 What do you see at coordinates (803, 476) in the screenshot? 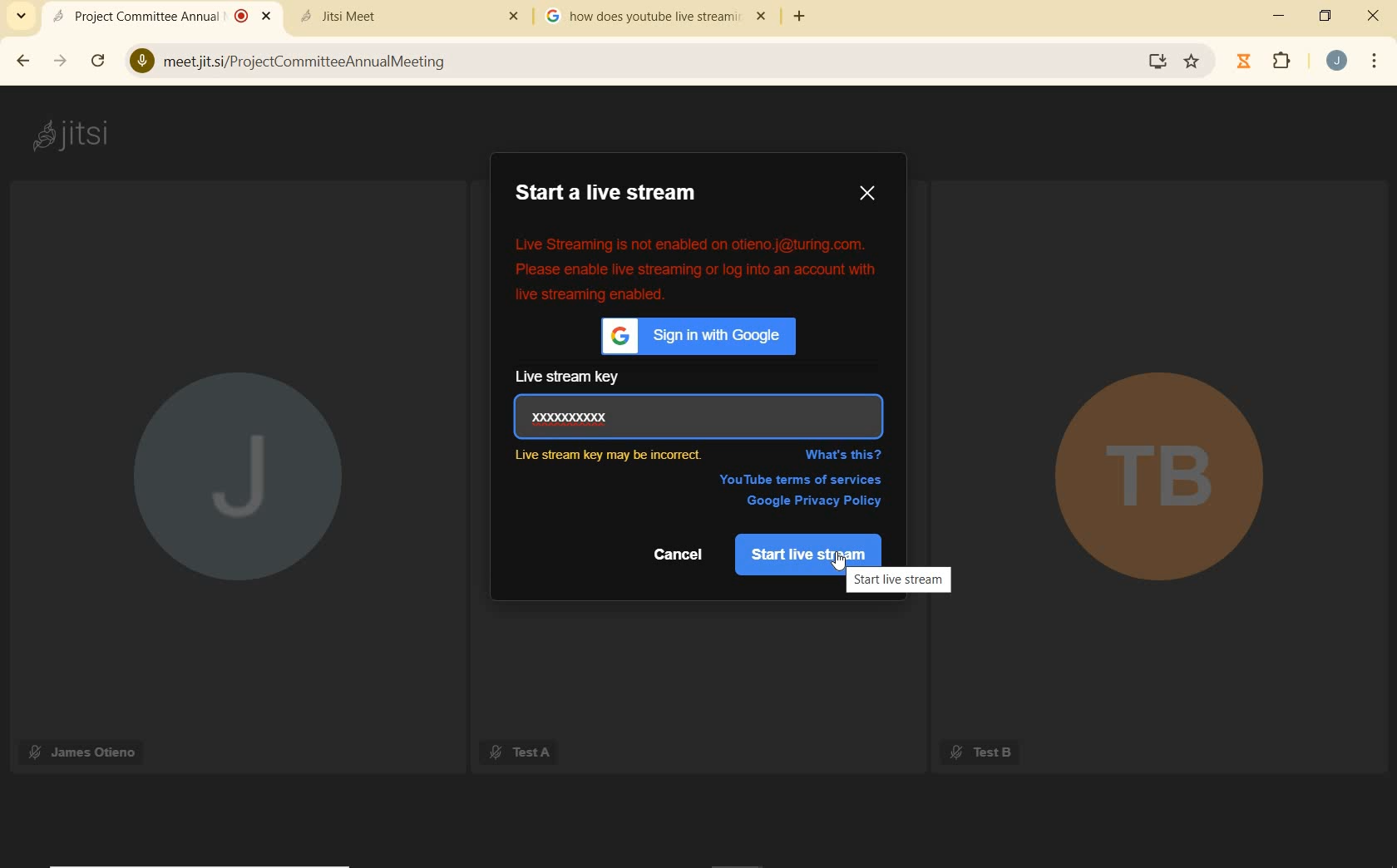
I see `YouTube terms of services` at bounding box center [803, 476].